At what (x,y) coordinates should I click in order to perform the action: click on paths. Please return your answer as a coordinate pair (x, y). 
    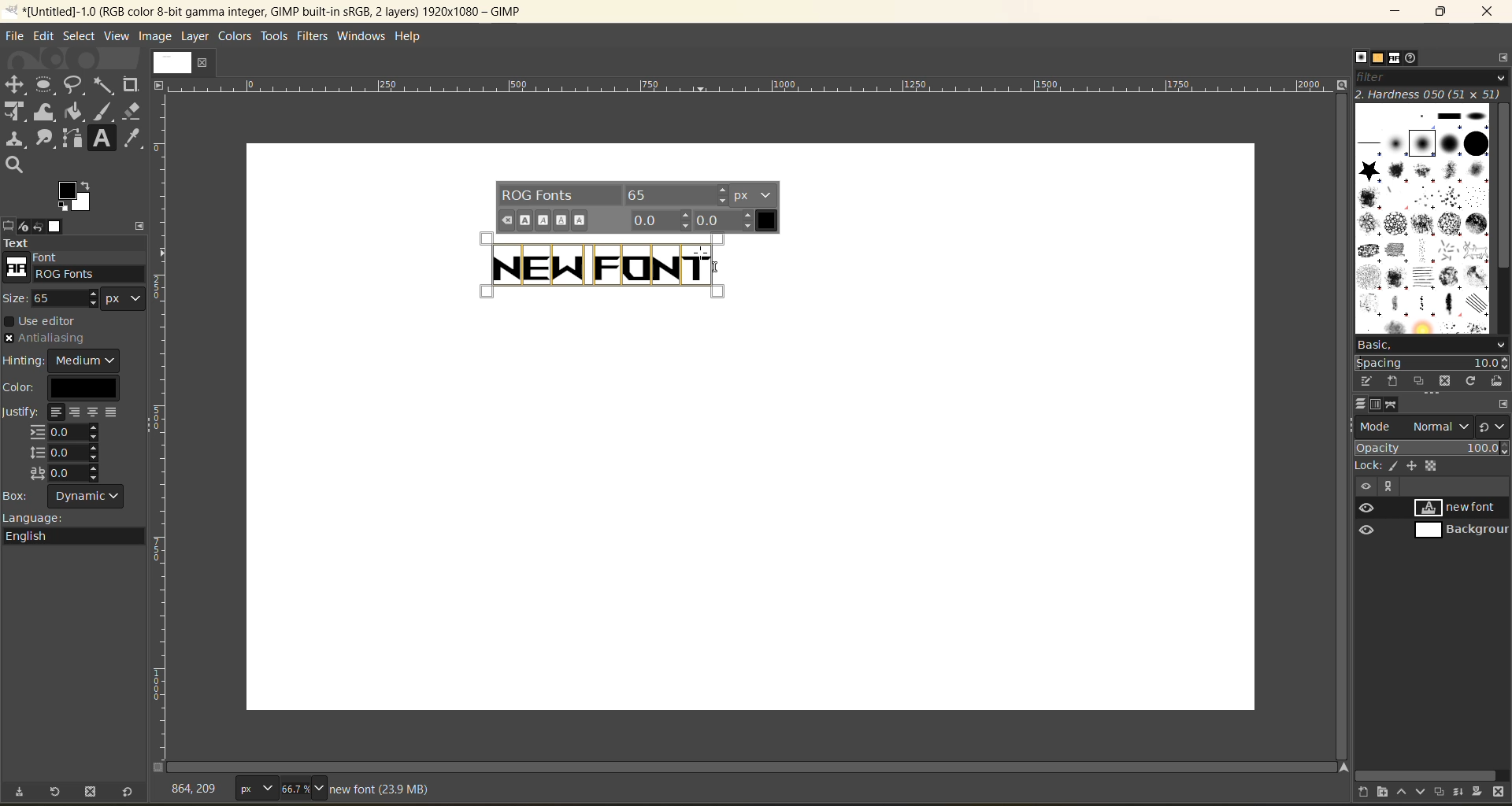
    Looking at the image, I should click on (1392, 405).